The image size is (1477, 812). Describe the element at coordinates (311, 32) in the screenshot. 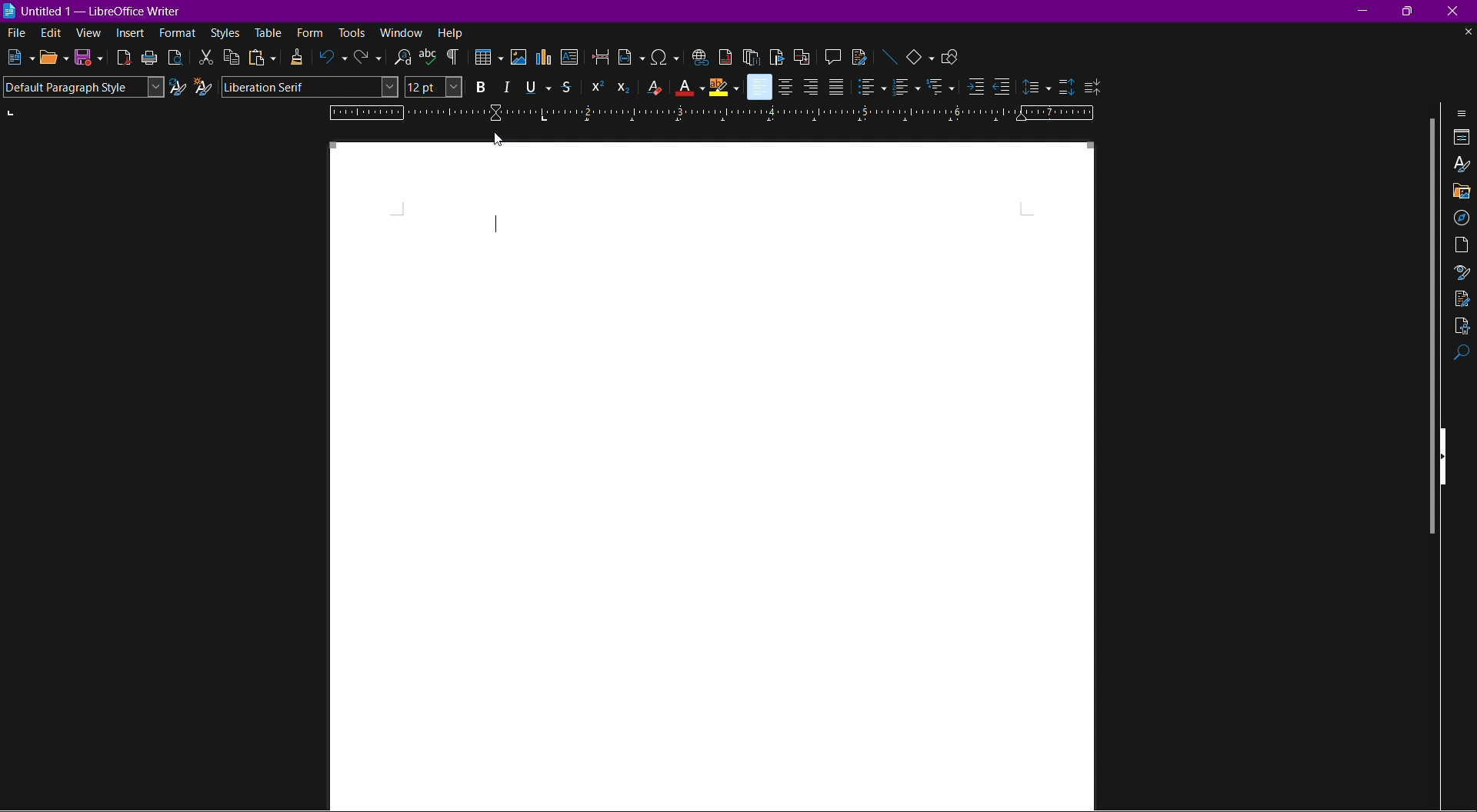

I see `form` at that location.